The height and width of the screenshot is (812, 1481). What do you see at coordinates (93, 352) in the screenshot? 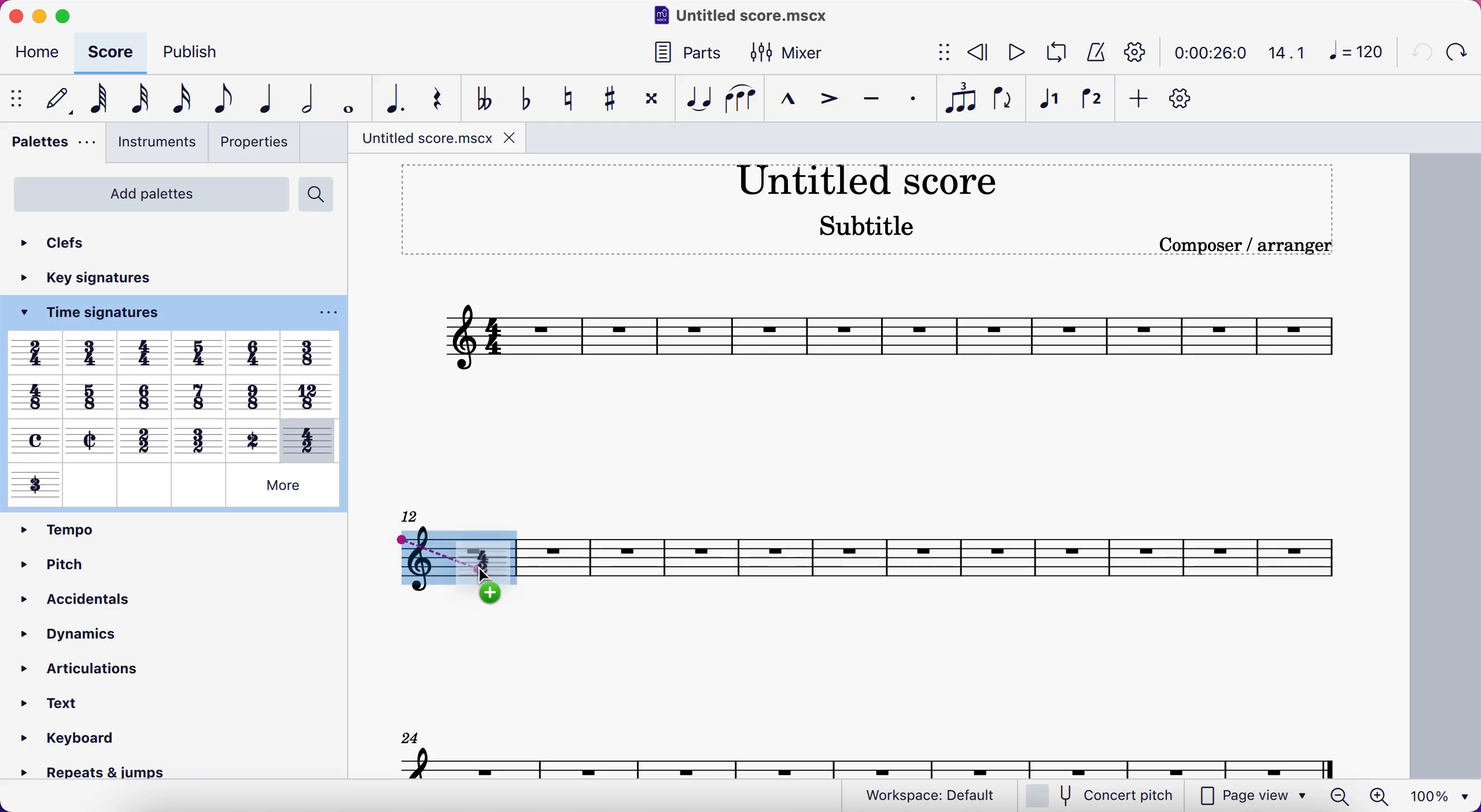
I see `` at bounding box center [93, 352].